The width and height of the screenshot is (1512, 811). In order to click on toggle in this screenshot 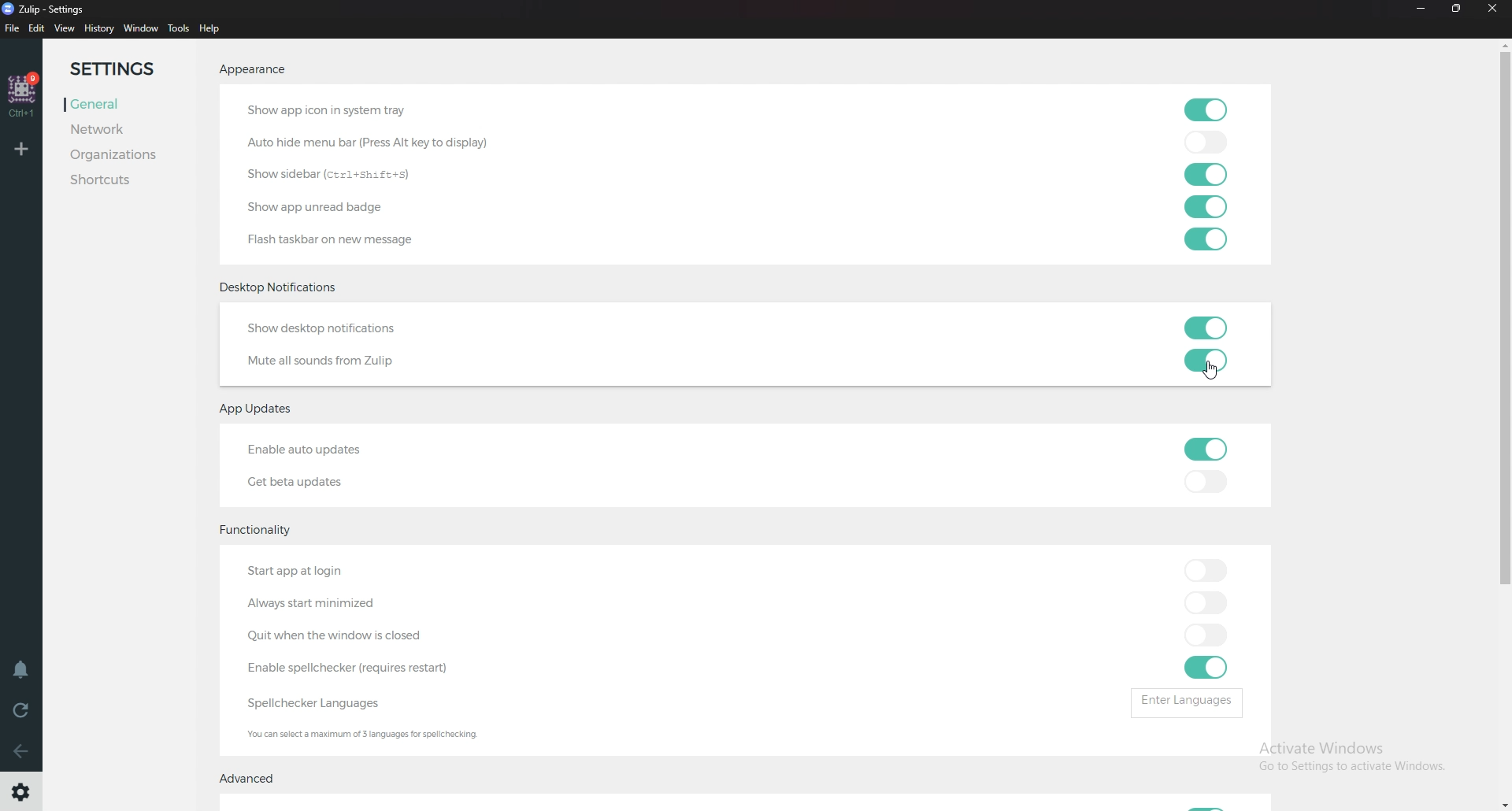, I will do `click(1206, 569)`.